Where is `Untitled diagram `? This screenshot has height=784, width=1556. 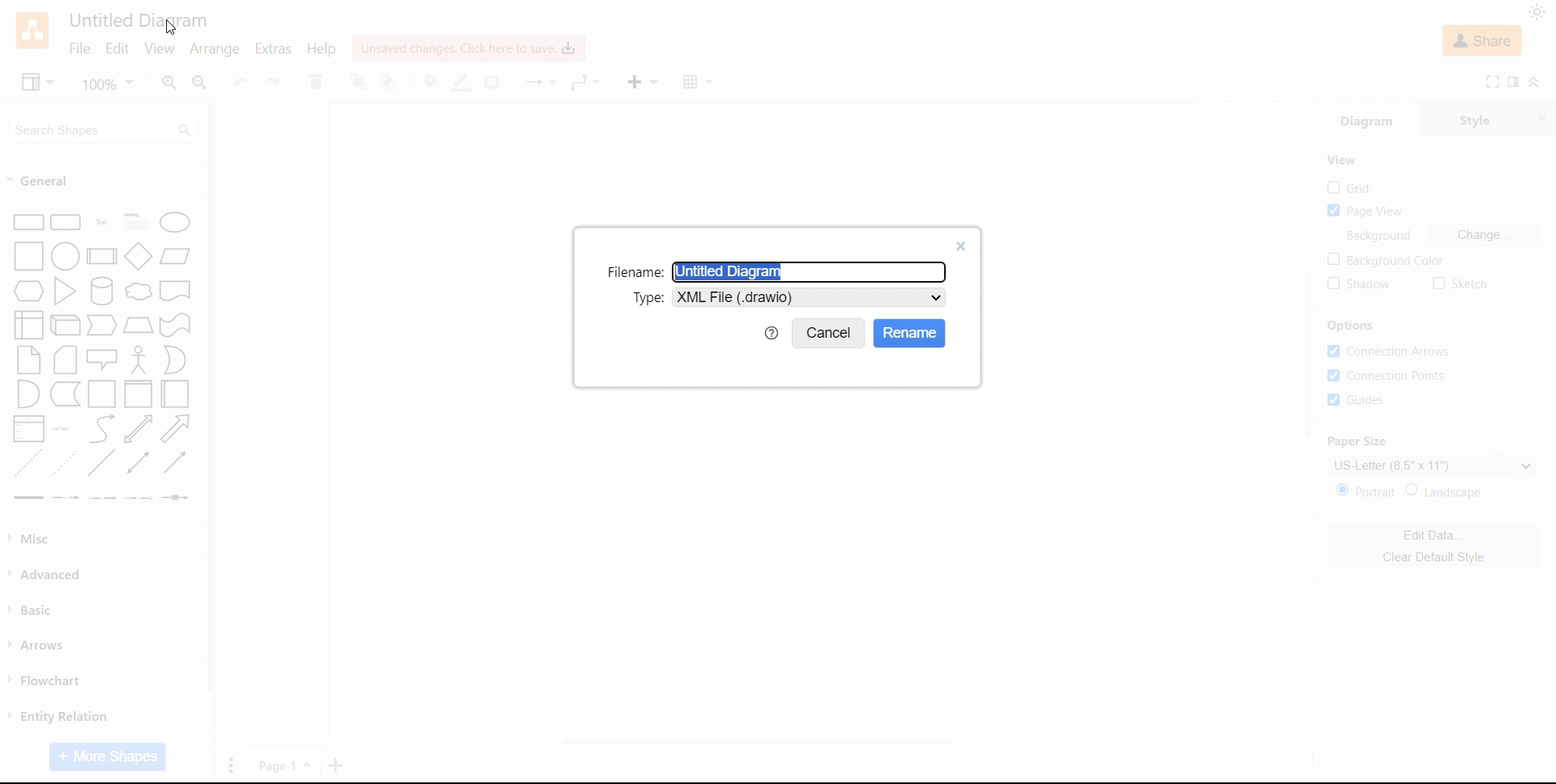
Untitled diagram  is located at coordinates (137, 20).